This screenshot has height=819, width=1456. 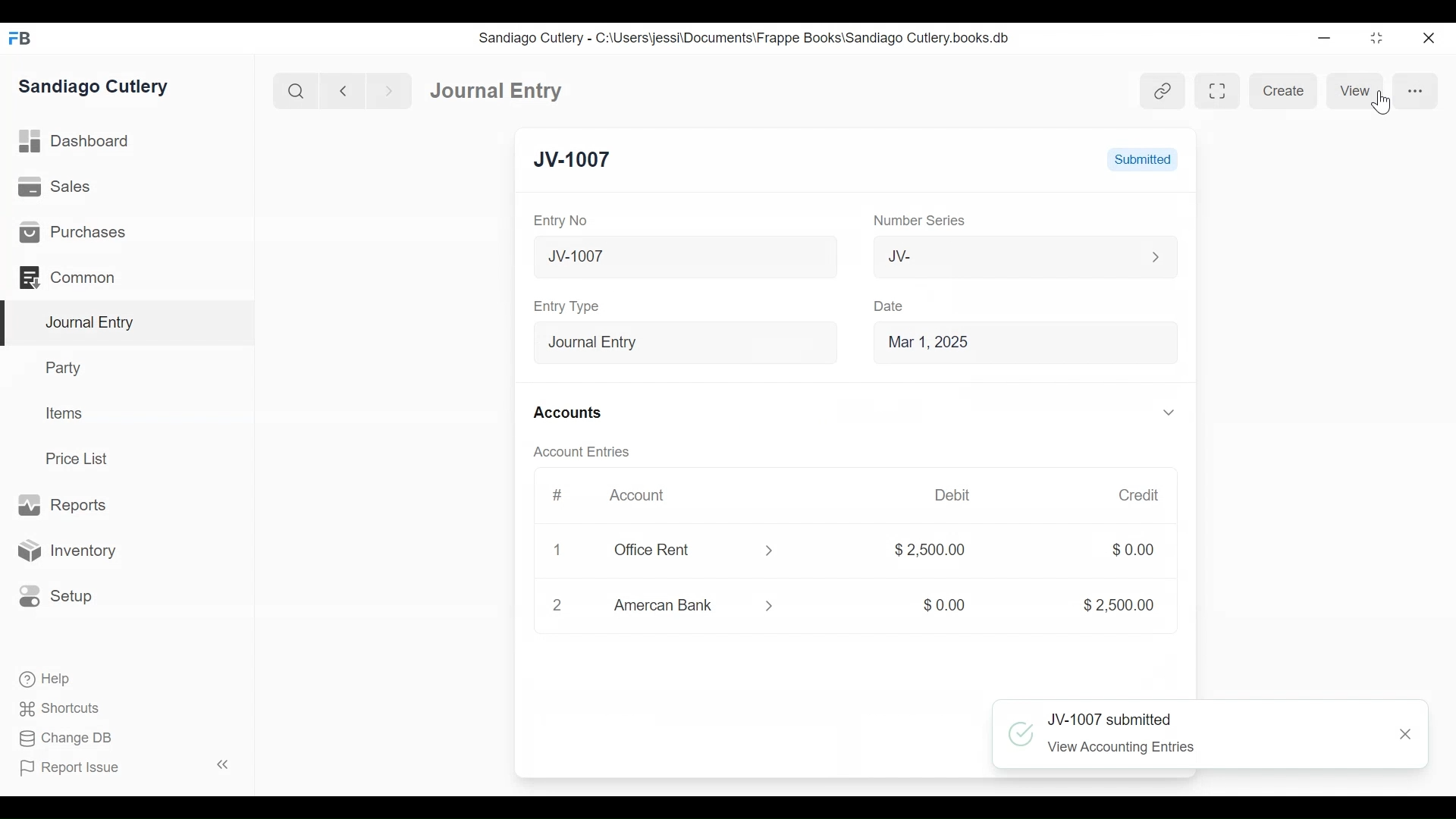 I want to click on #, so click(x=552, y=495).